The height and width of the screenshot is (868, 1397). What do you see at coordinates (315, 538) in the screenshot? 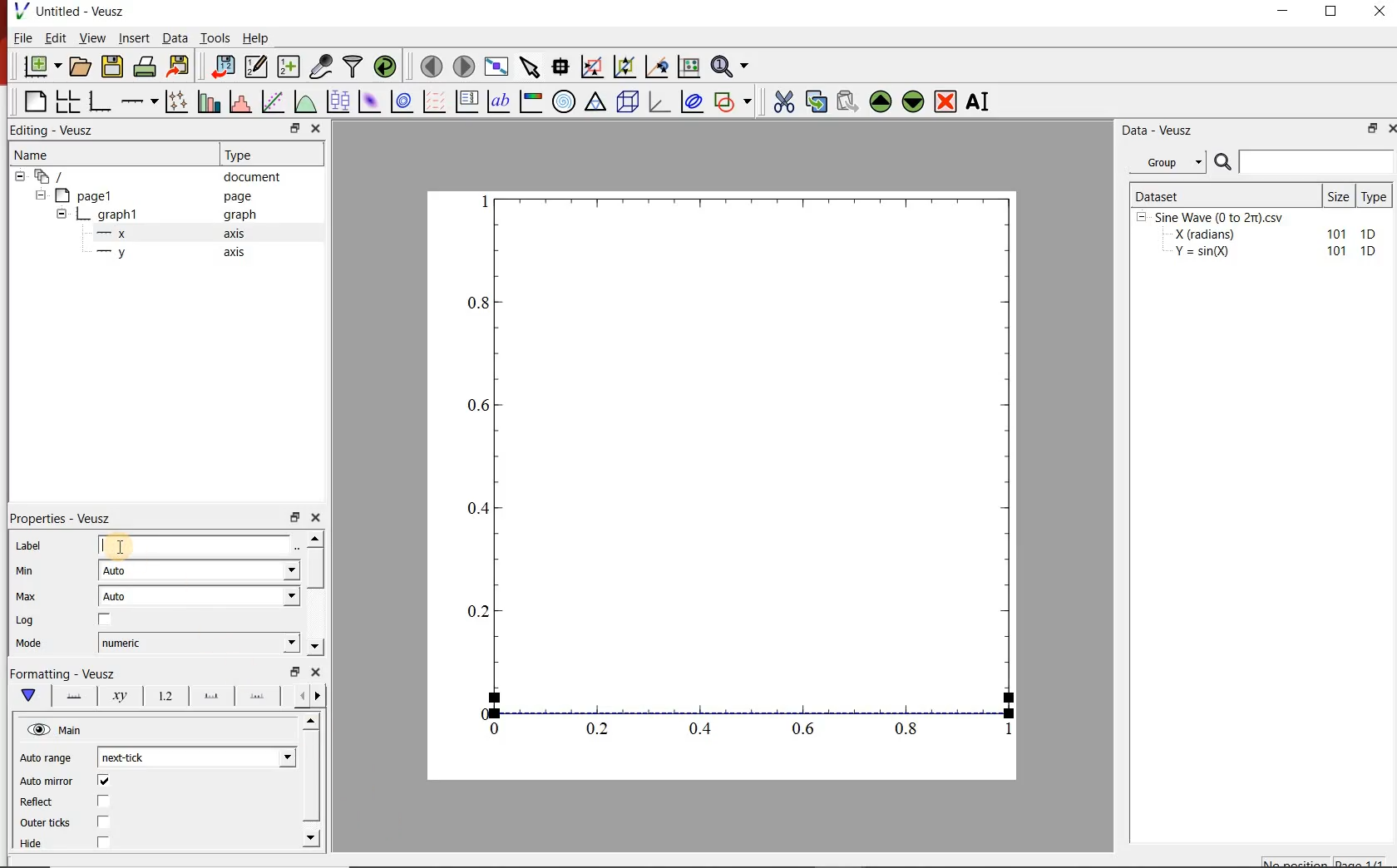
I see `Up` at bounding box center [315, 538].